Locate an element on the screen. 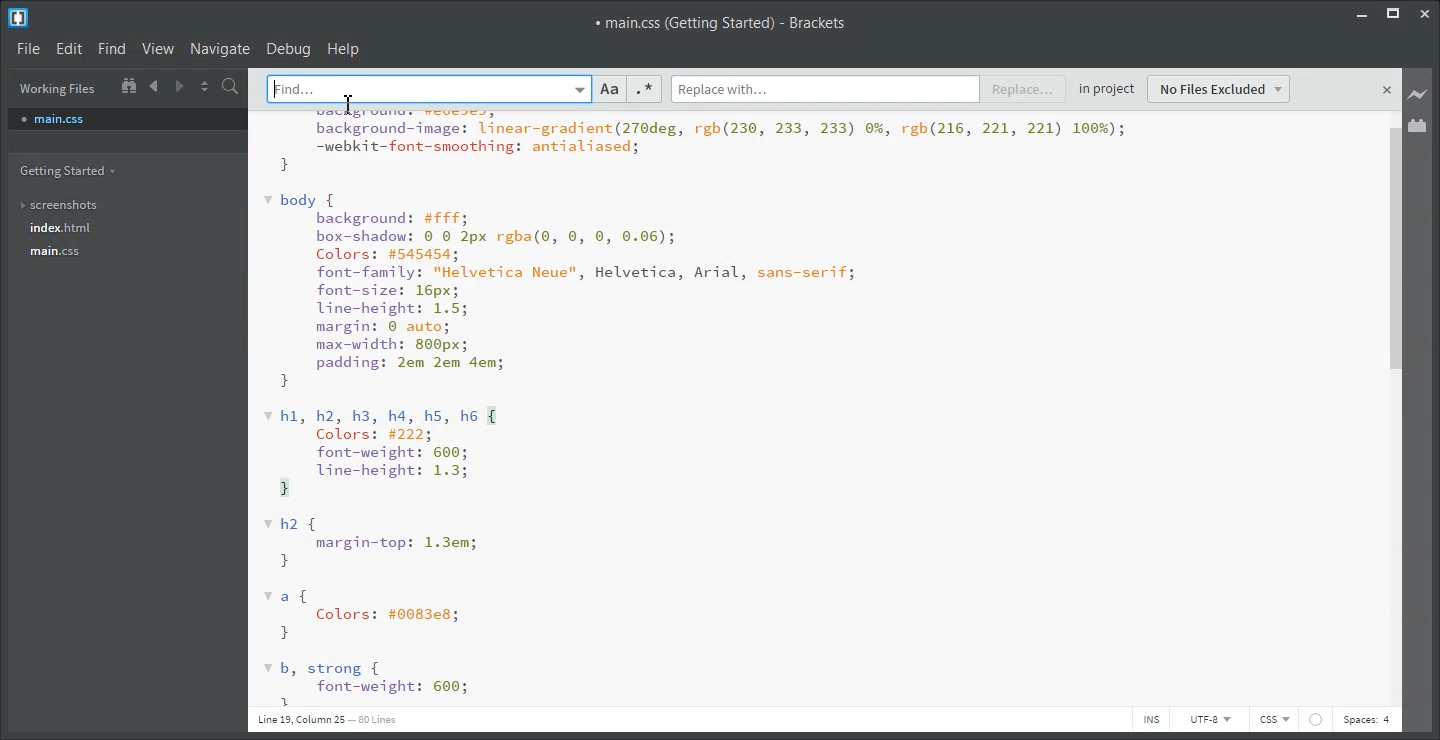 The height and width of the screenshot is (740, 1440). Match Case is located at coordinates (610, 89).